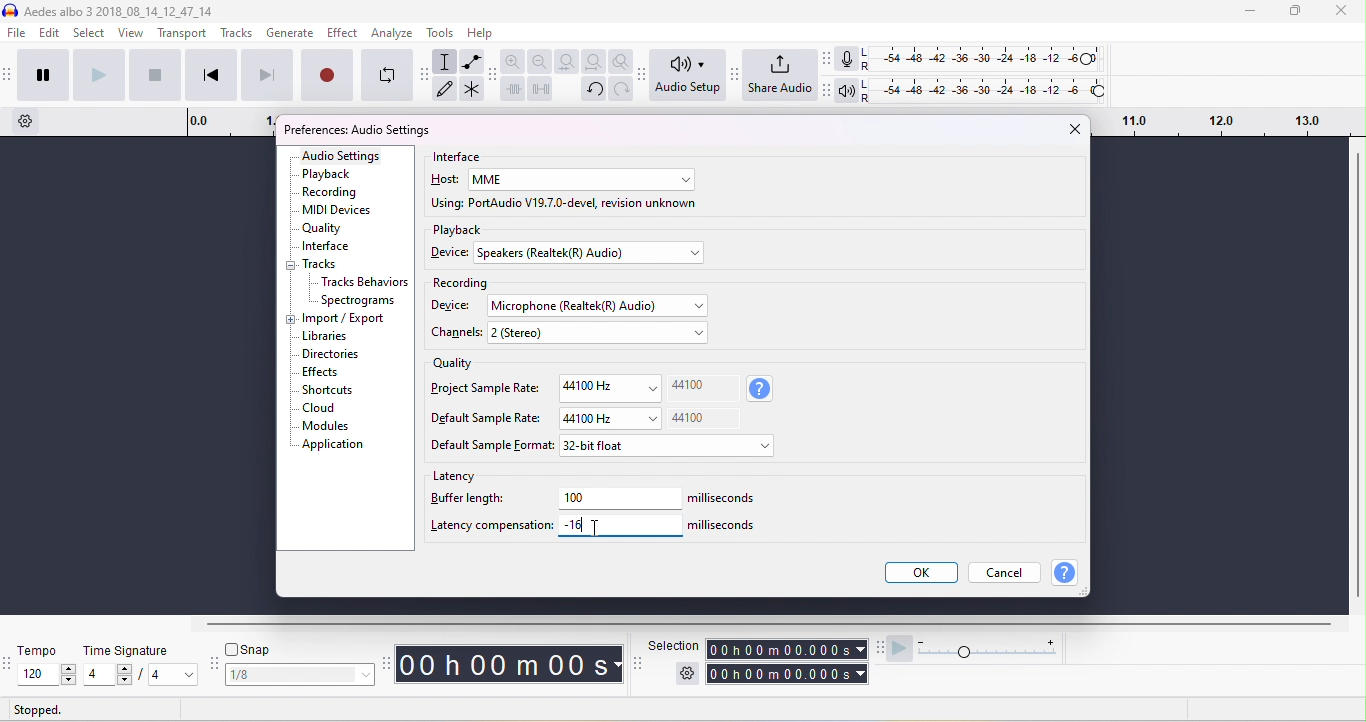 This screenshot has height=722, width=1366. What do you see at coordinates (327, 174) in the screenshot?
I see `playback` at bounding box center [327, 174].